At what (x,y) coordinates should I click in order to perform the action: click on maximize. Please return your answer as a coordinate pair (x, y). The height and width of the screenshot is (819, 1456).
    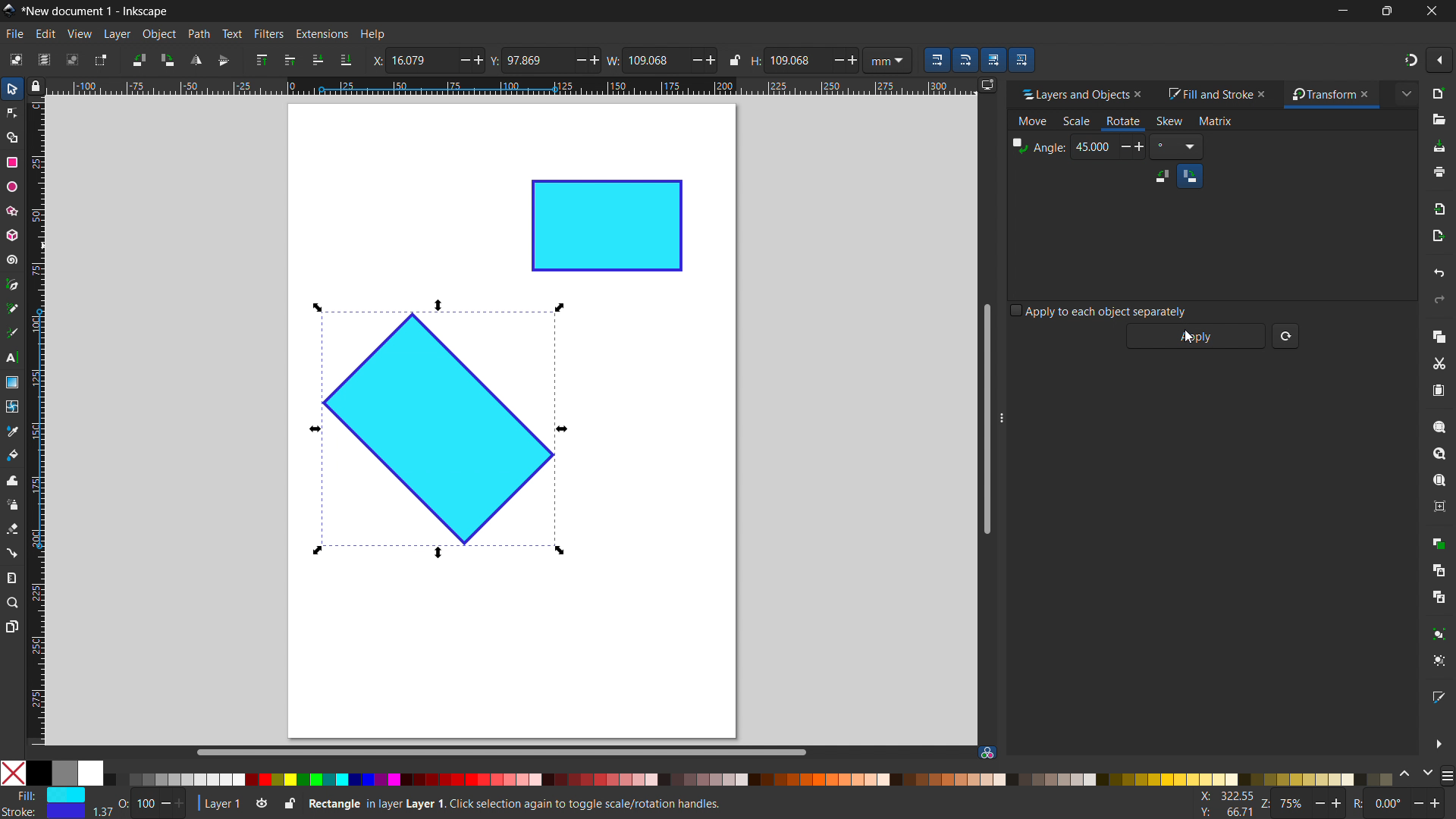
    Looking at the image, I should click on (1384, 11).